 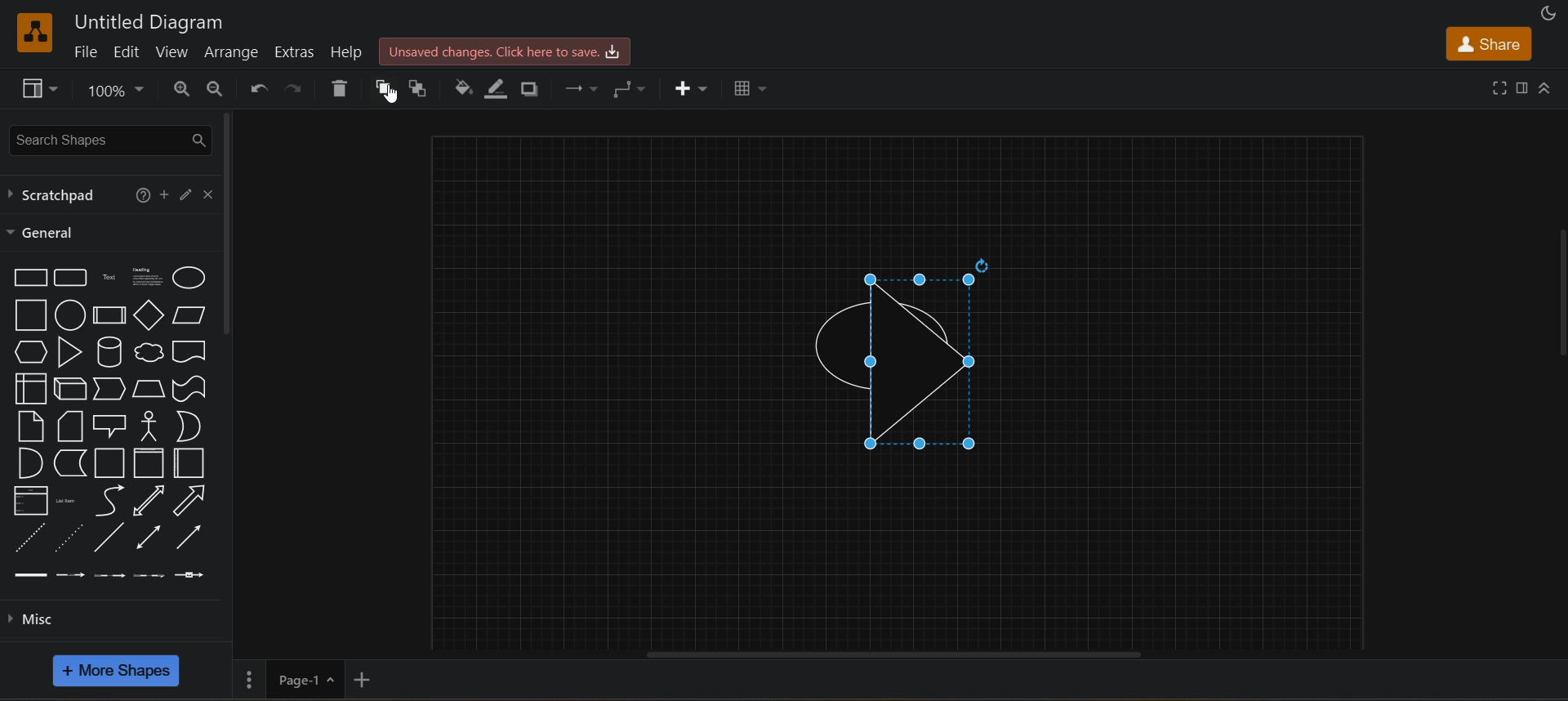 I want to click on view, so click(x=37, y=88).